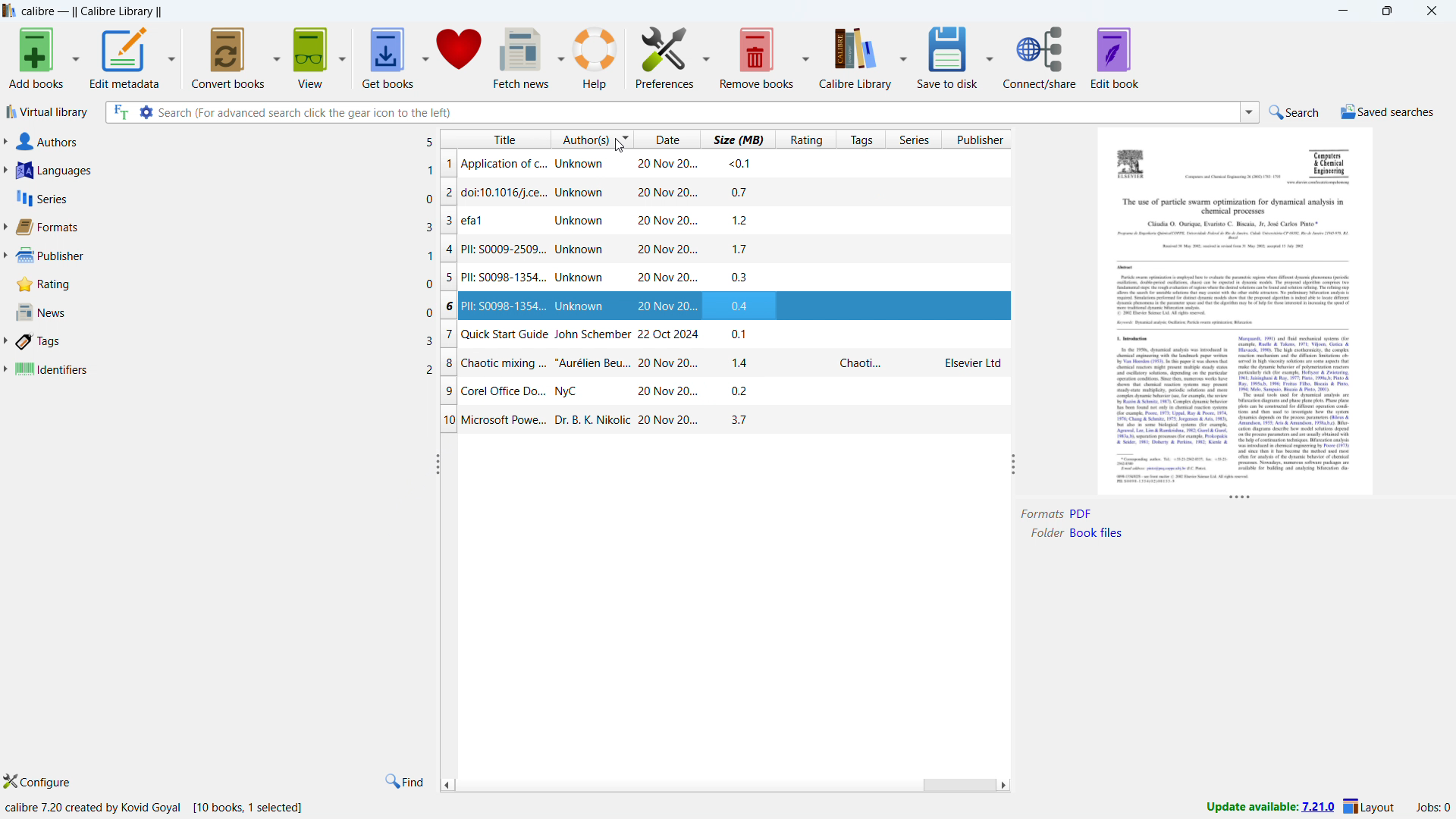 This screenshot has width=1456, height=819. Describe the element at coordinates (738, 419) in the screenshot. I see `37` at that location.